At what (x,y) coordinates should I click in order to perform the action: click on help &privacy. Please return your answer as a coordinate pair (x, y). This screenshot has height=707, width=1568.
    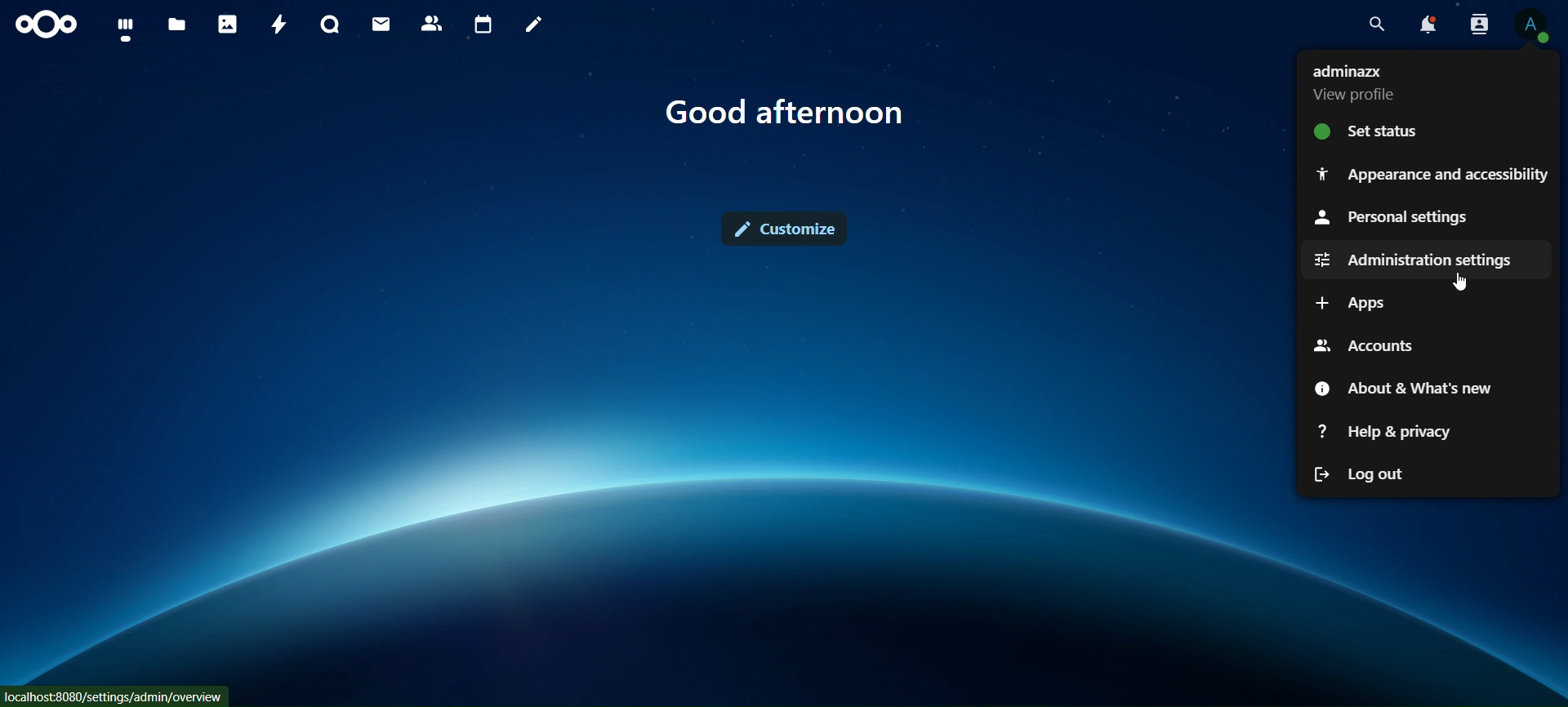
    Looking at the image, I should click on (1388, 434).